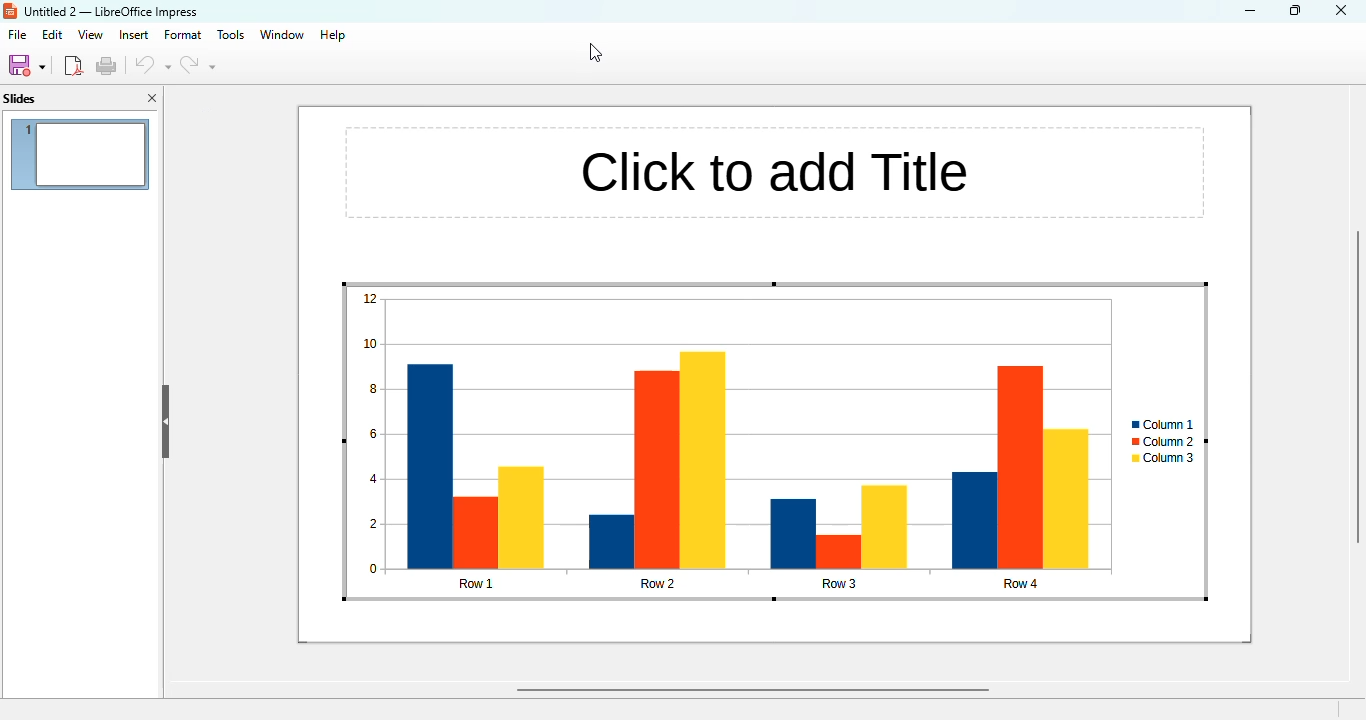  Describe the element at coordinates (595, 53) in the screenshot. I see `cursor` at that location.